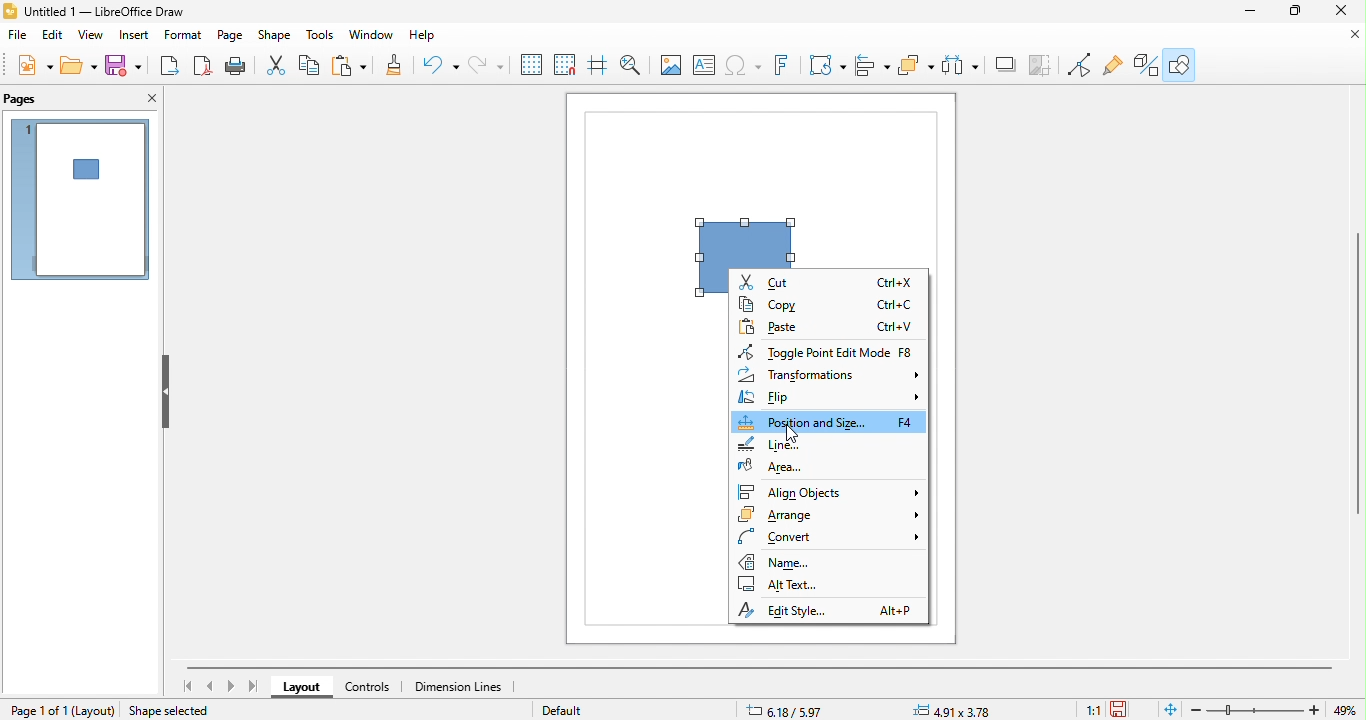 This screenshot has height=720, width=1366. I want to click on previous page, so click(212, 686).